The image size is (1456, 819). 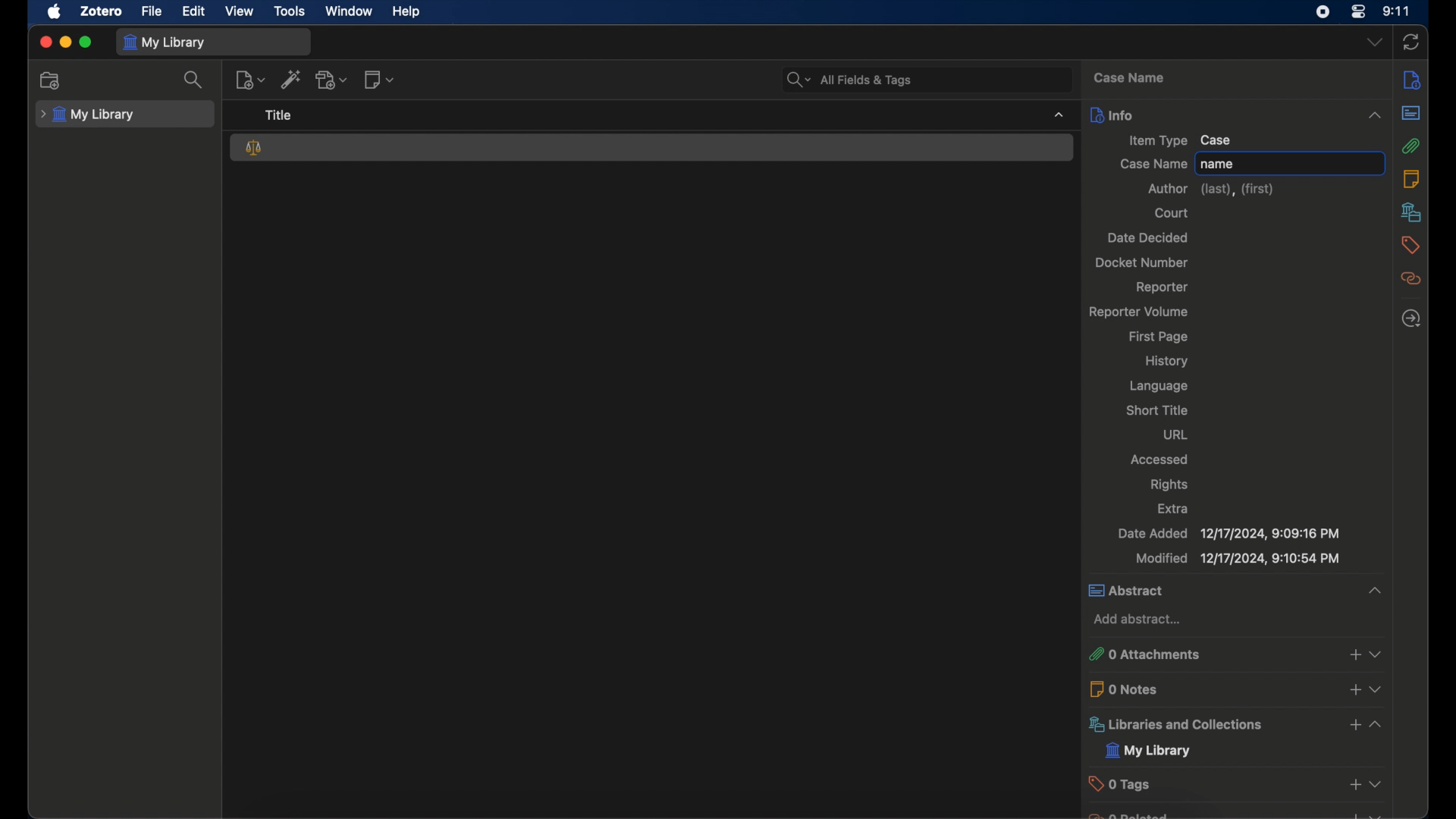 I want to click on tools, so click(x=290, y=11).